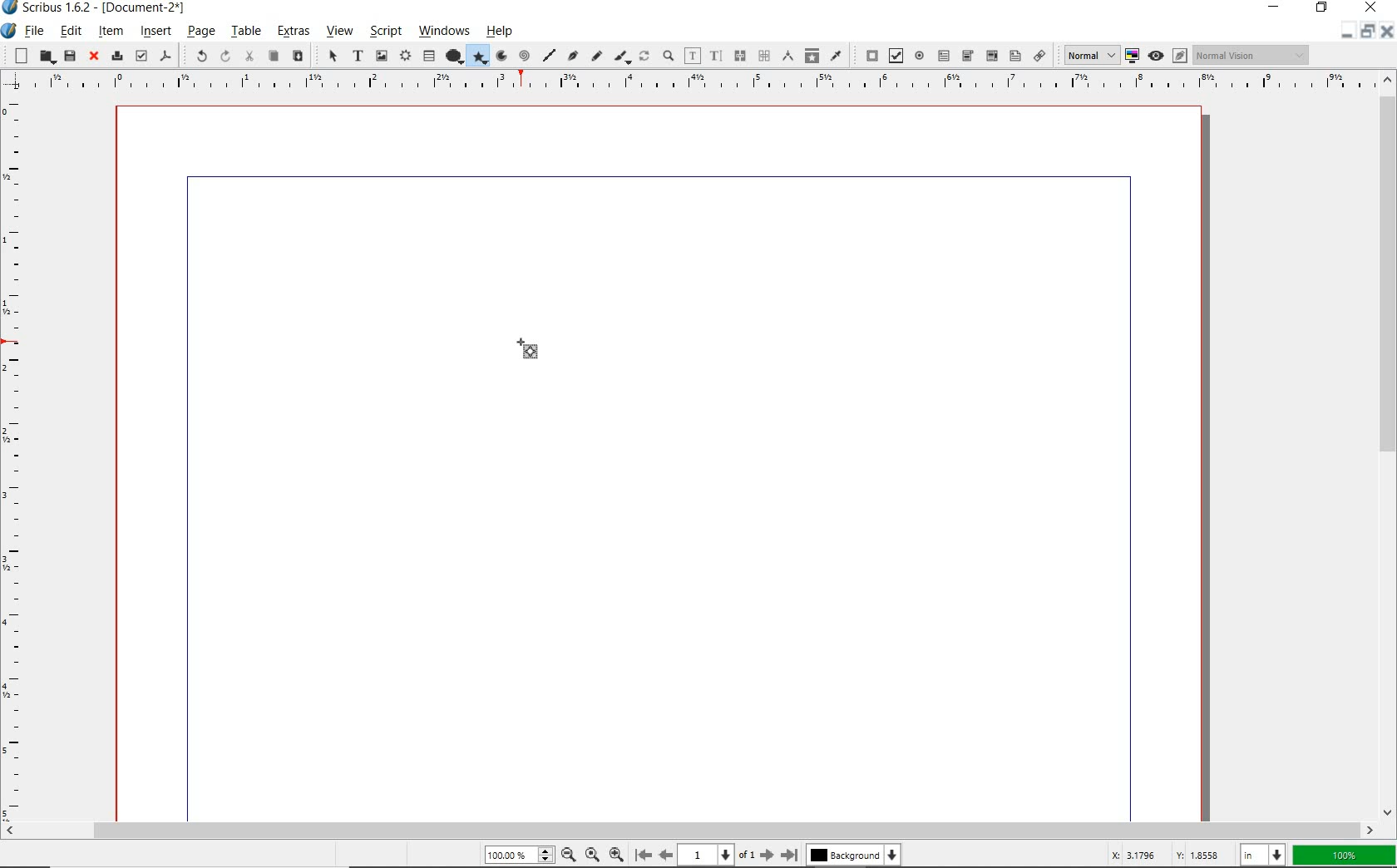  What do you see at coordinates (1366, 33) in the screenshot?
I see `Restore` at bounding box center [1366, 33].